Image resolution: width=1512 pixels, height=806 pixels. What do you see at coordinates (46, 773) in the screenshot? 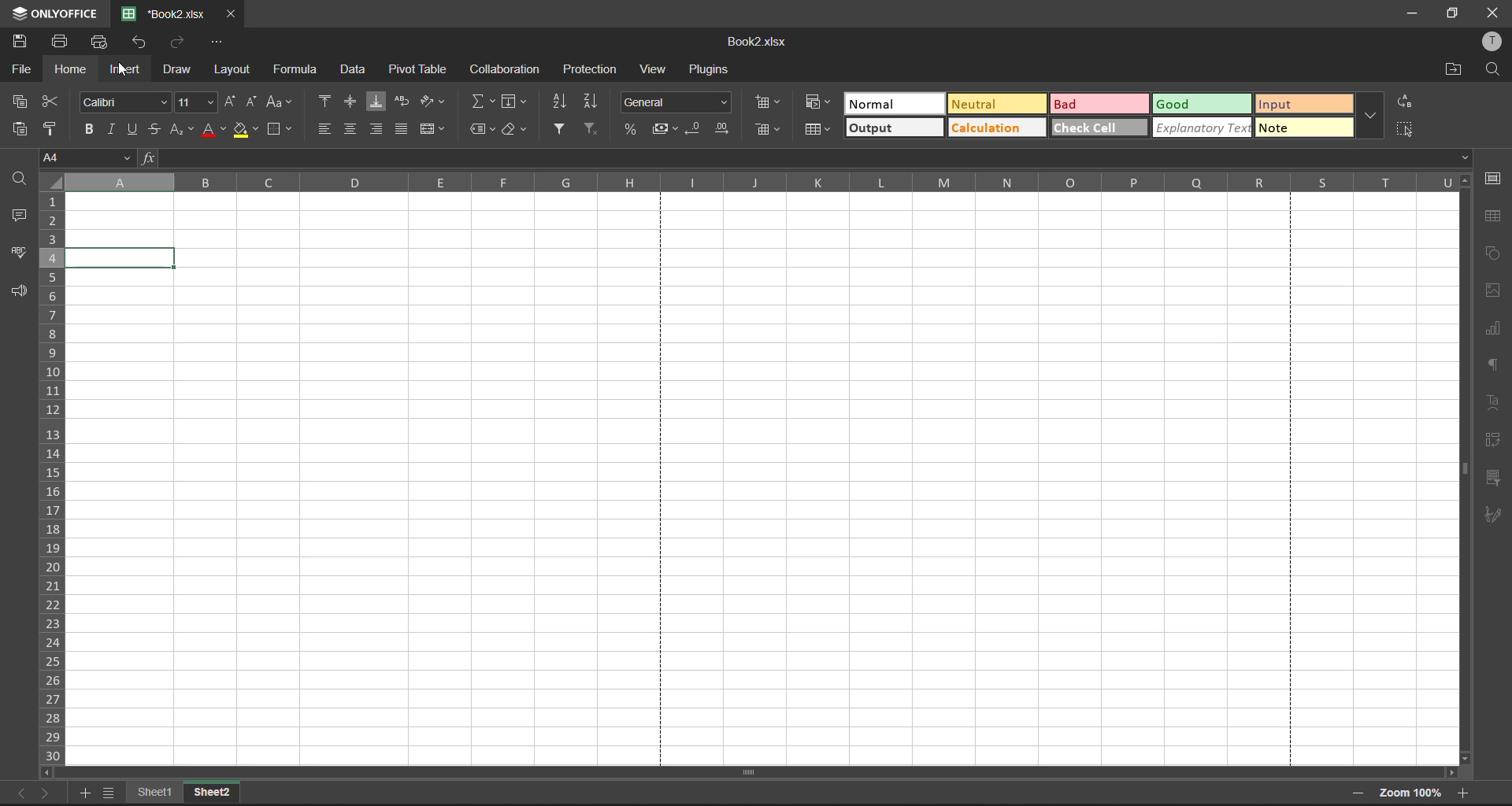
I see `scroll left` at bounding box center [46, 773].